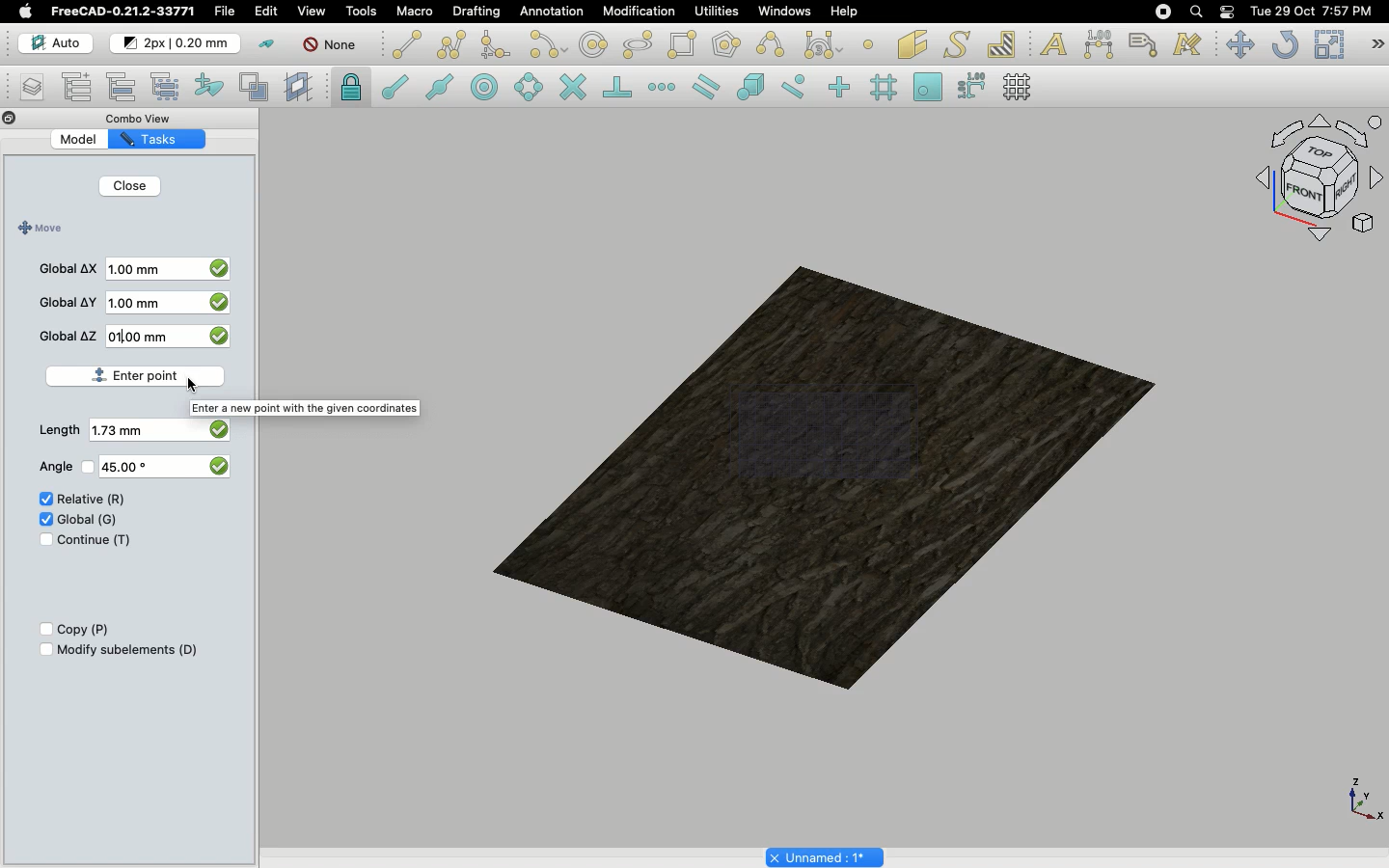 The image size is (1389, 868). What do you see at coordinates (68, 336) in the screenshot?
I see `Global Z` at bounding box center [68, 336].